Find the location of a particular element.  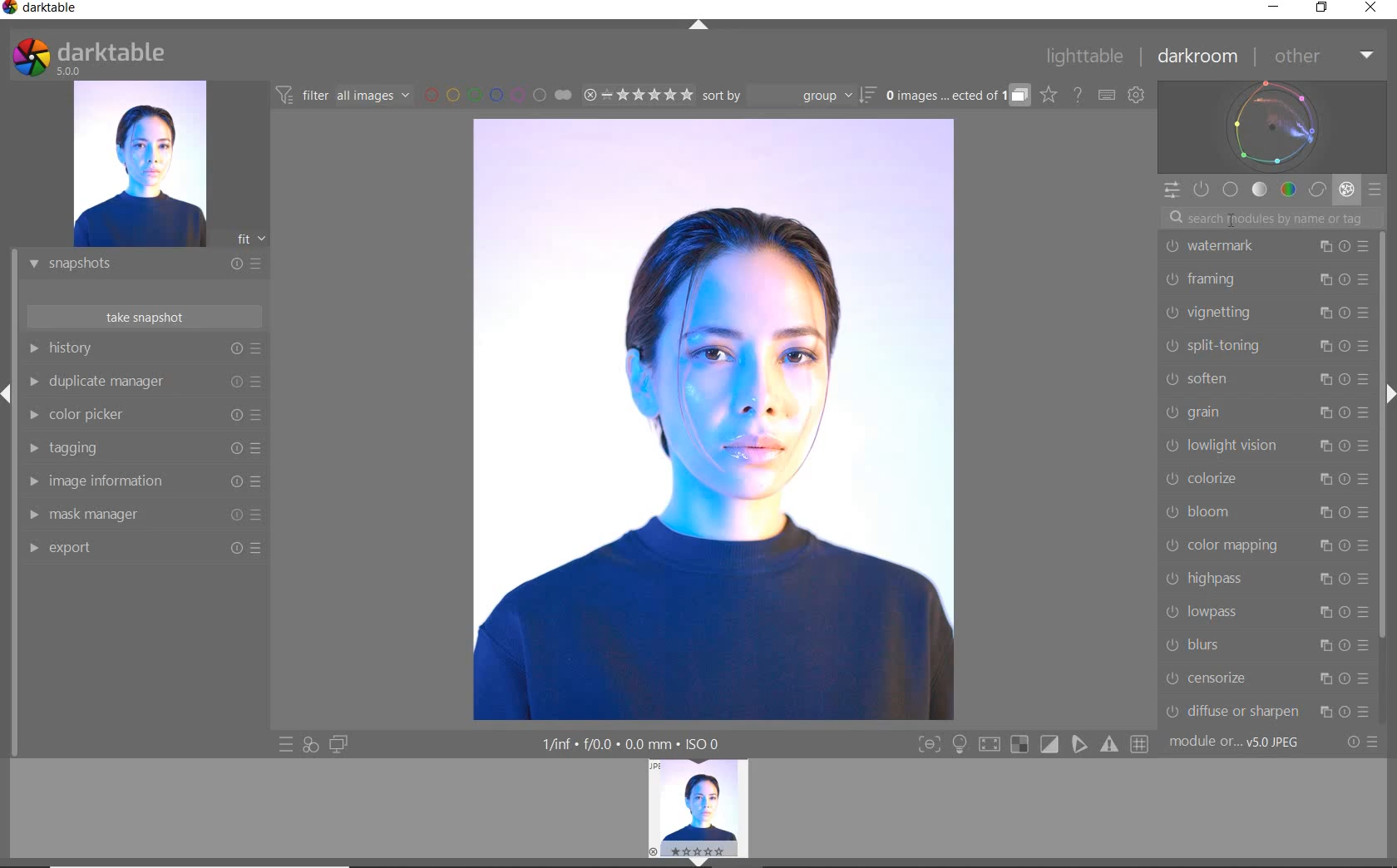

Button is located at coordinates (960, 746).